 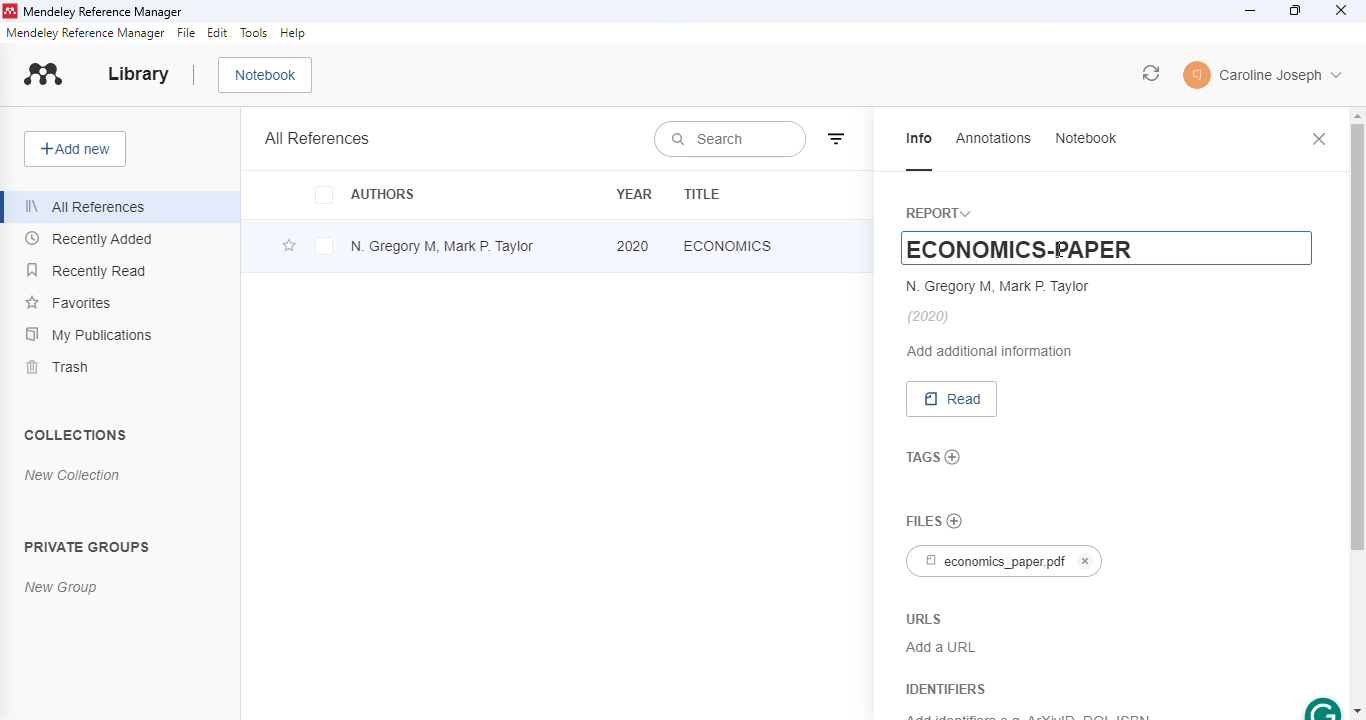 What do you see at coordinates (837, 138) in the screenshot?
I see `filter by` at bounding box center [837, 138].